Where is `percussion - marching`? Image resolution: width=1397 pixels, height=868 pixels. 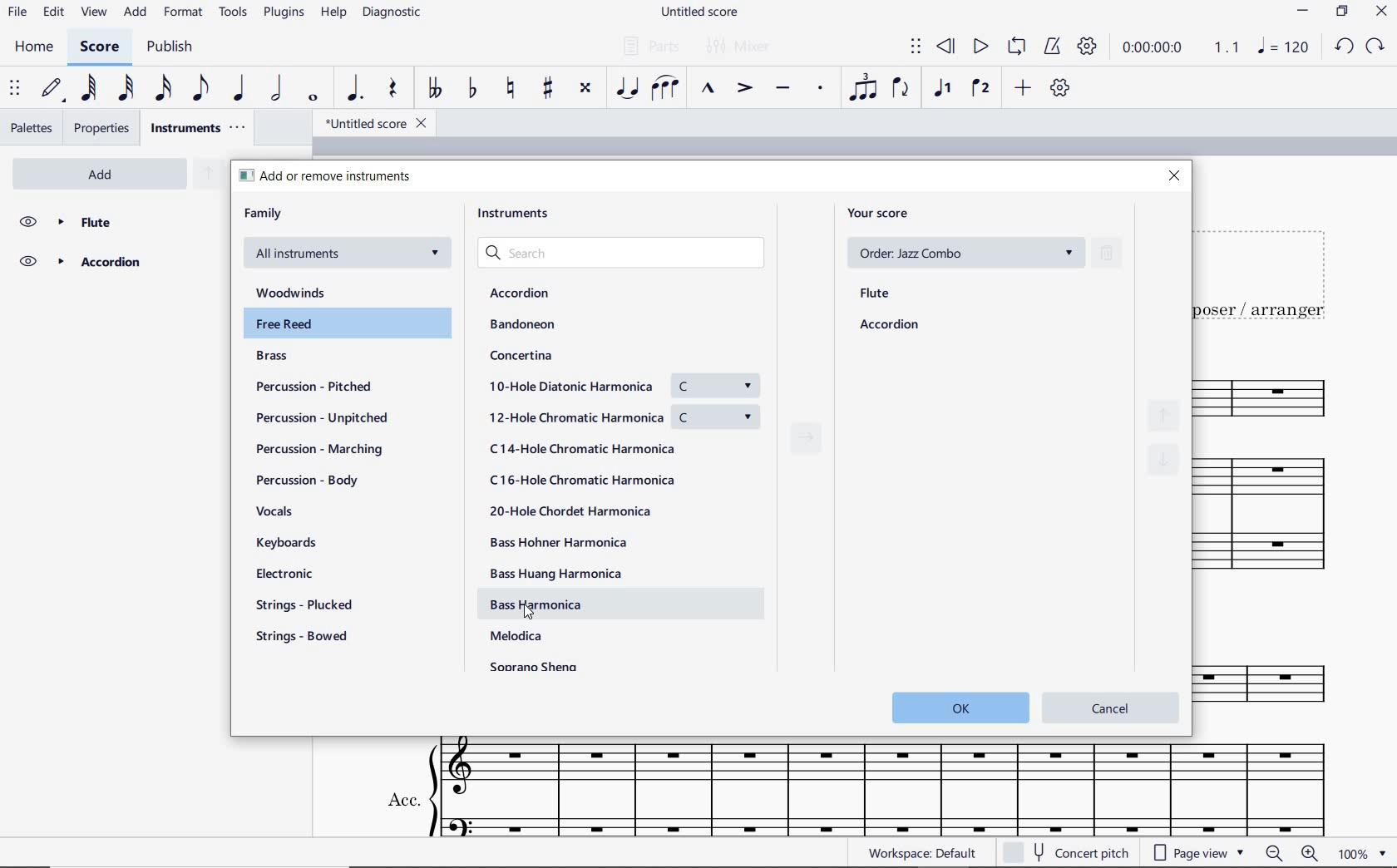 percussion - marching is located at coordinates (327, 450).